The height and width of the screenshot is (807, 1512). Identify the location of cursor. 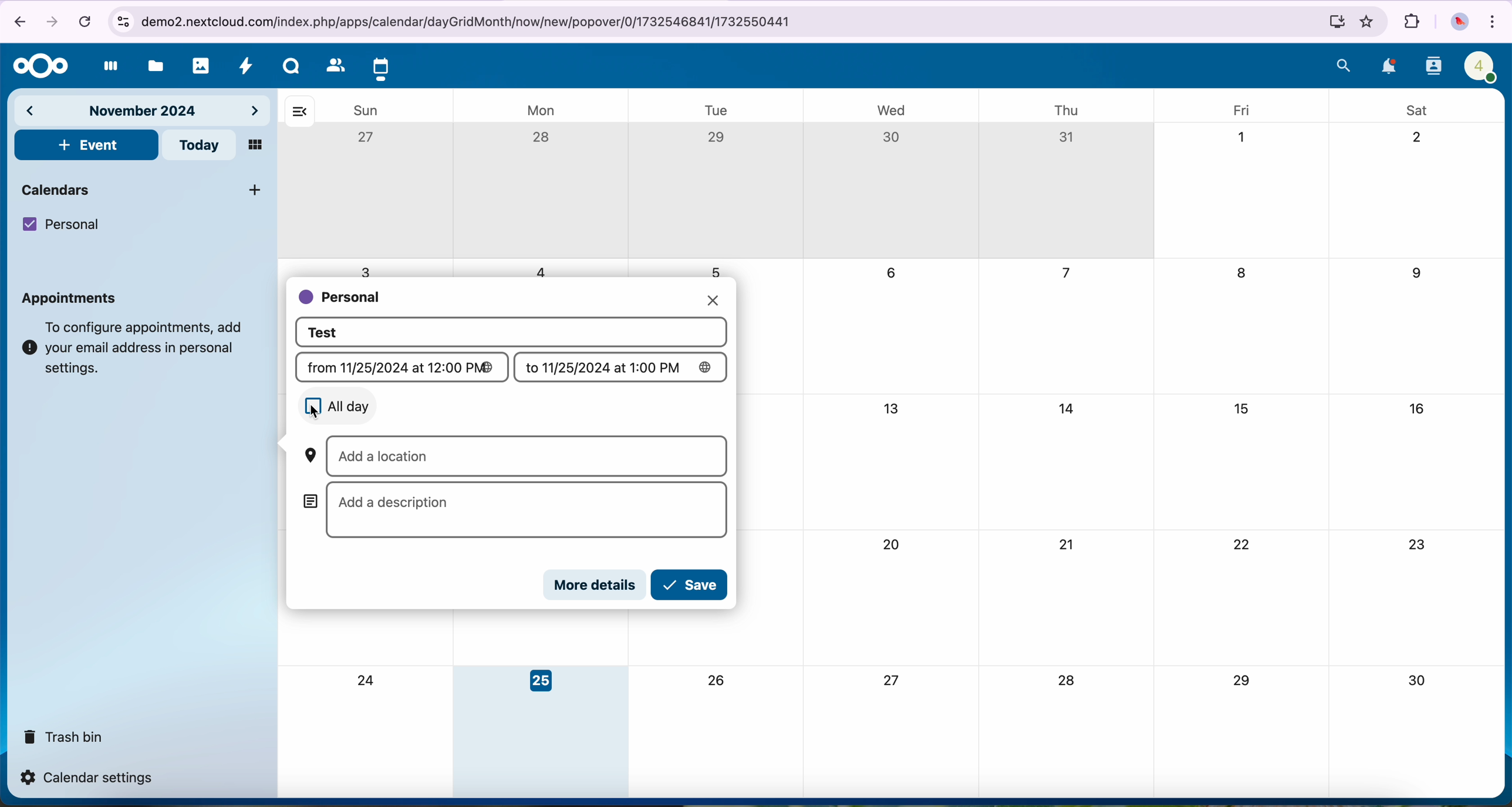
(313, 416).